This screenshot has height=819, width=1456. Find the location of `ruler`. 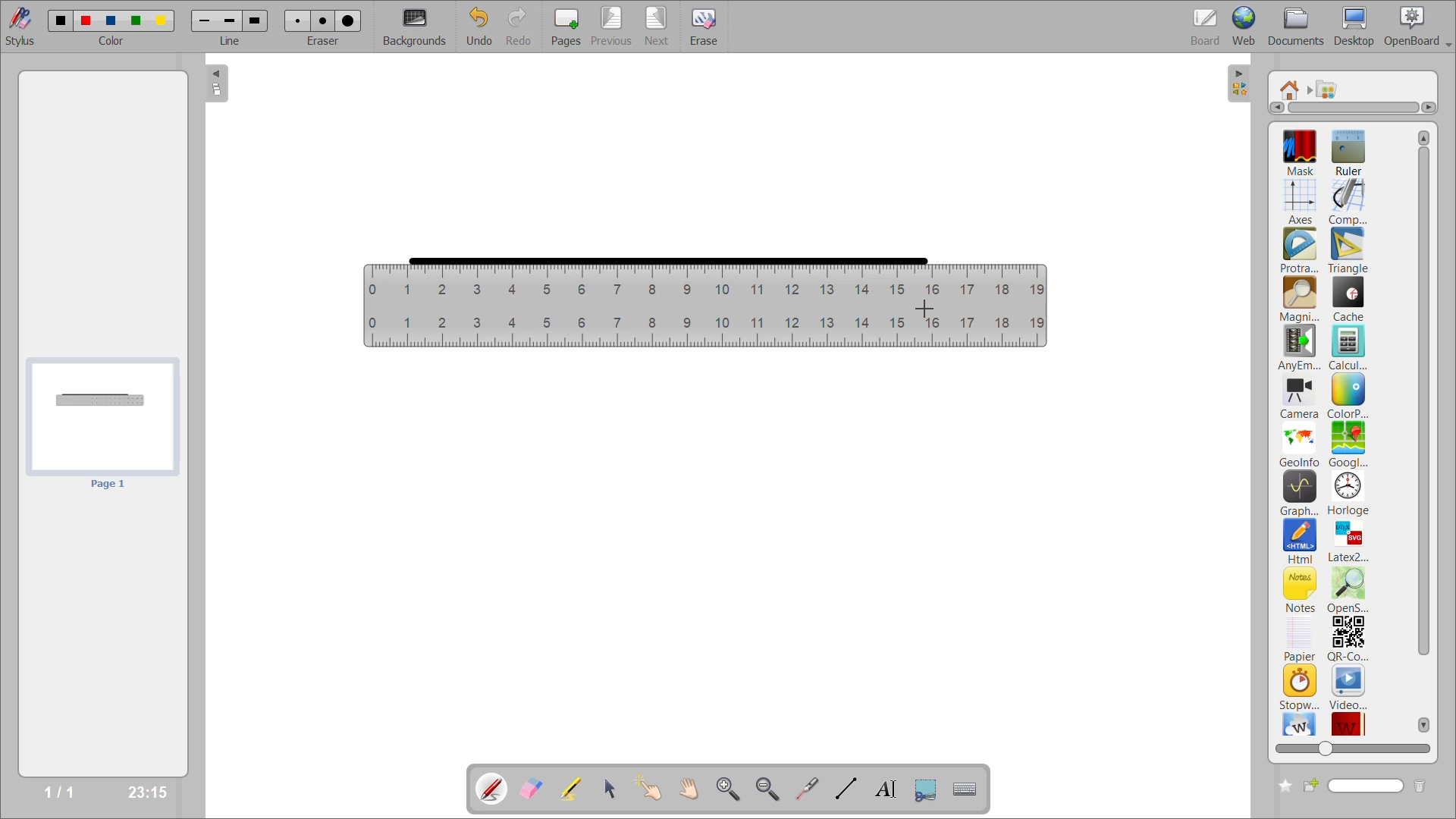

ruler is located at coordinates (1347, 151).